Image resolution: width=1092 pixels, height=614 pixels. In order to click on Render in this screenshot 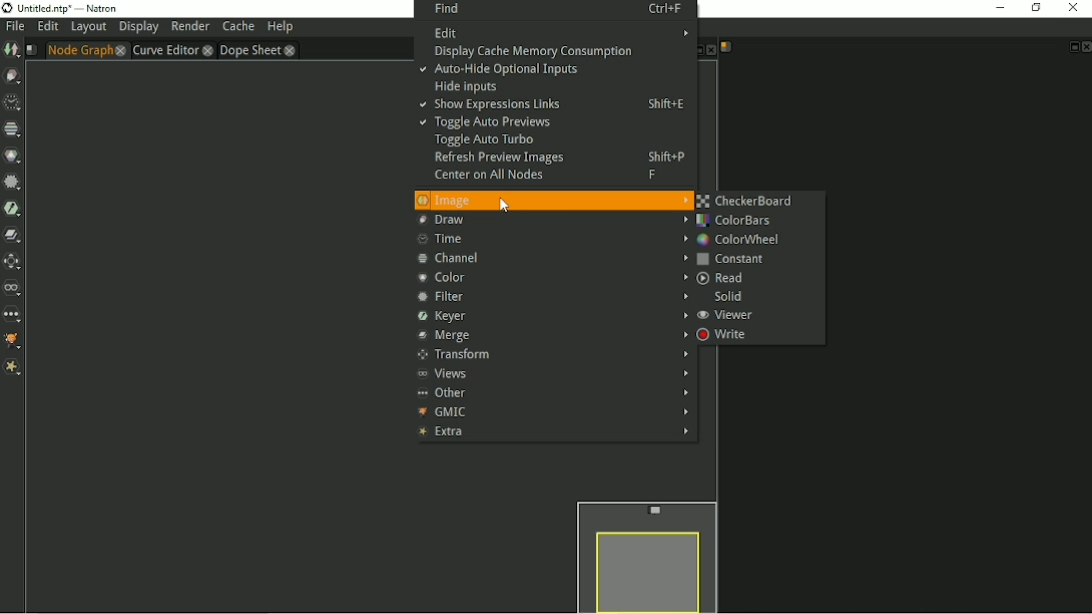, I will do `click(191, 26)`.